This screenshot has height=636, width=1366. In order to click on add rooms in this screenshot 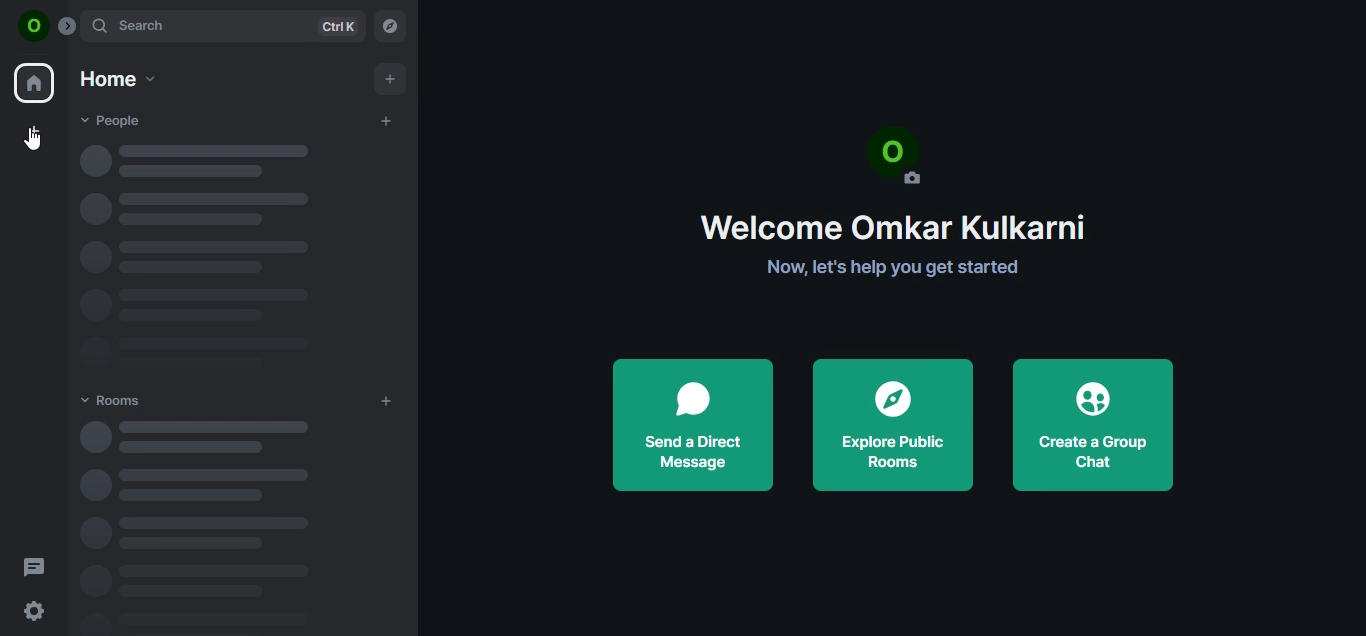, I will do `click(388, 401)`.